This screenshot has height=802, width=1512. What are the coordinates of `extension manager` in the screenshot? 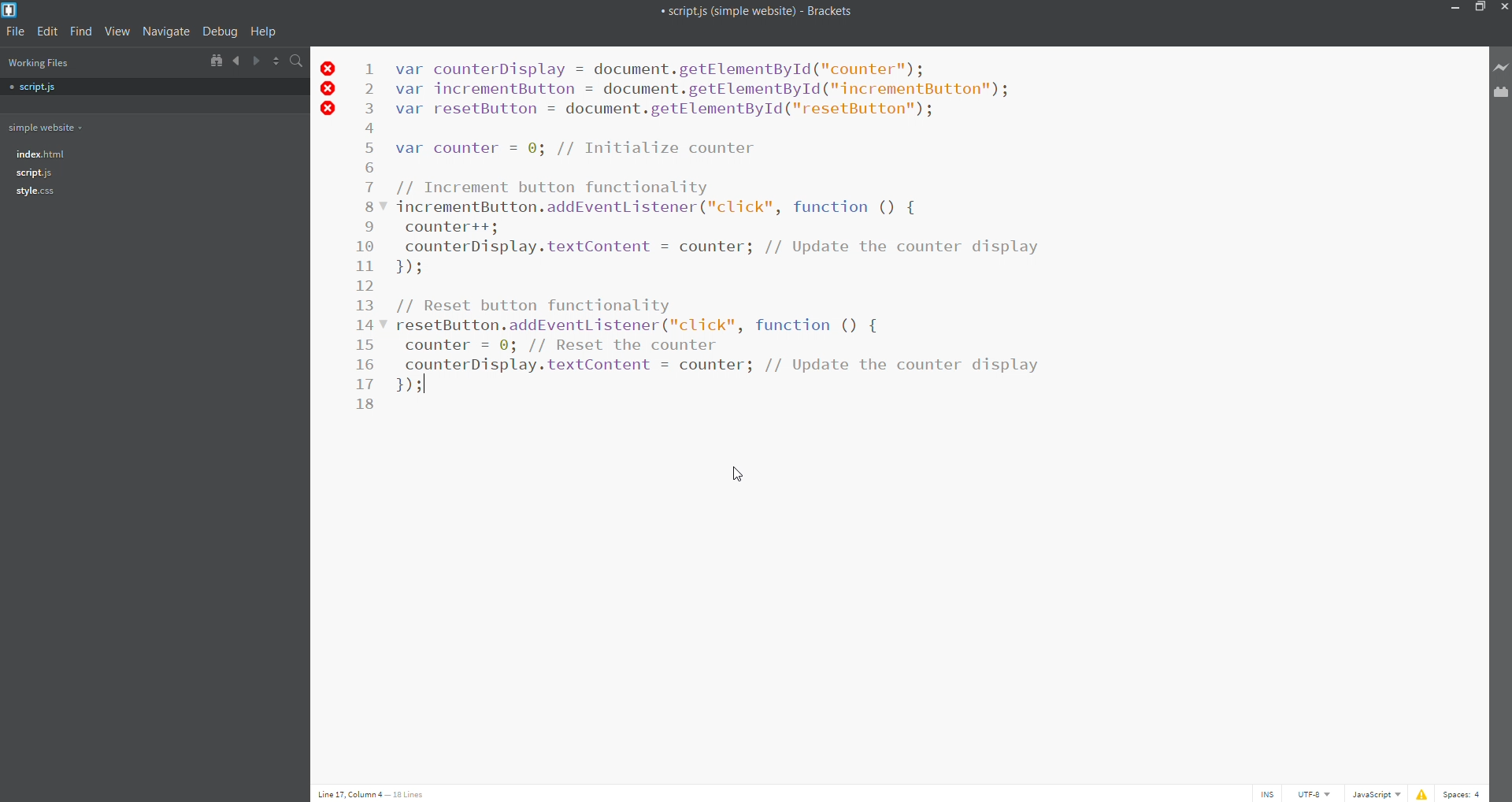 It's located at (1501, 95).